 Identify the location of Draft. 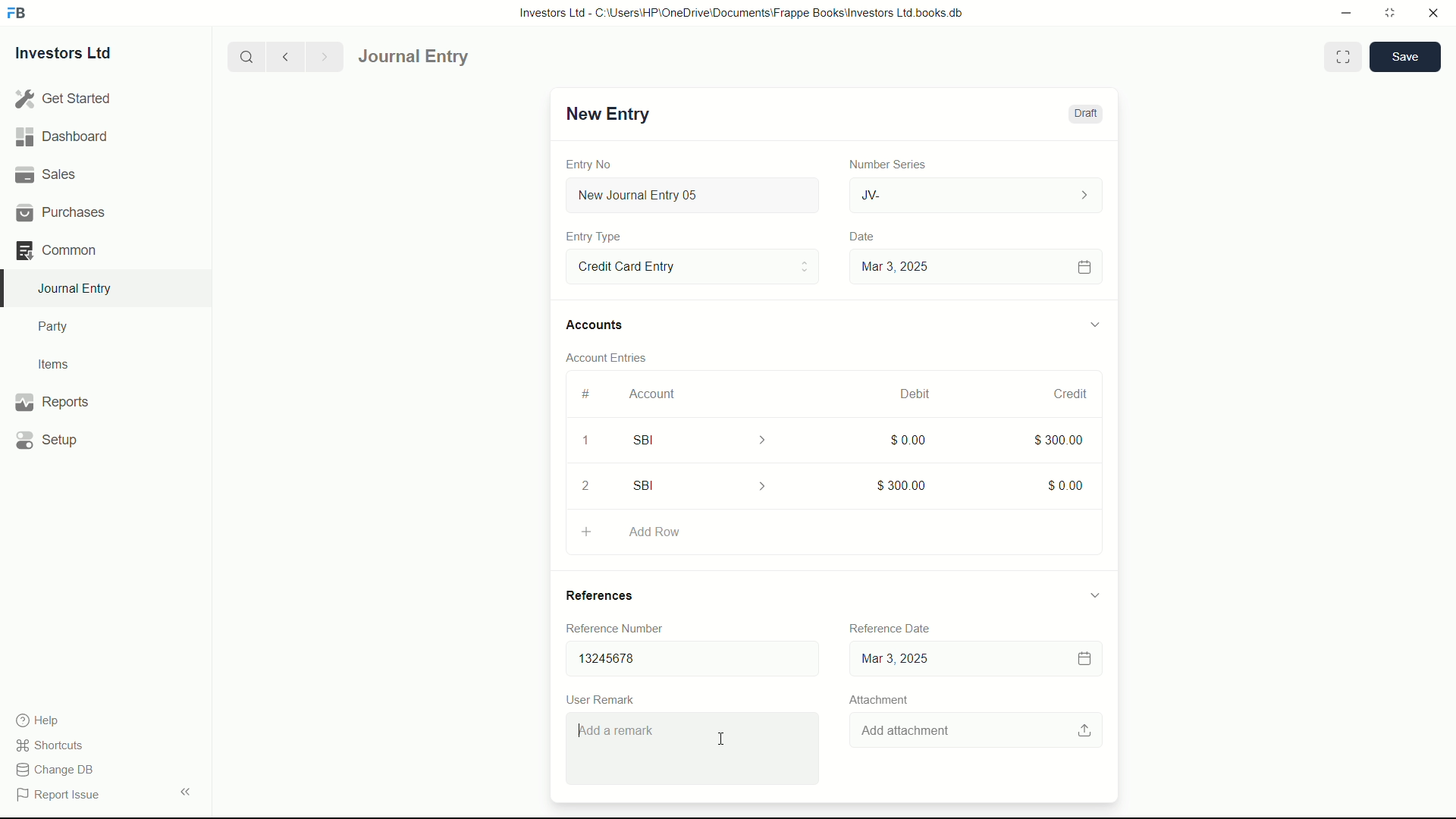
(1084, 114).